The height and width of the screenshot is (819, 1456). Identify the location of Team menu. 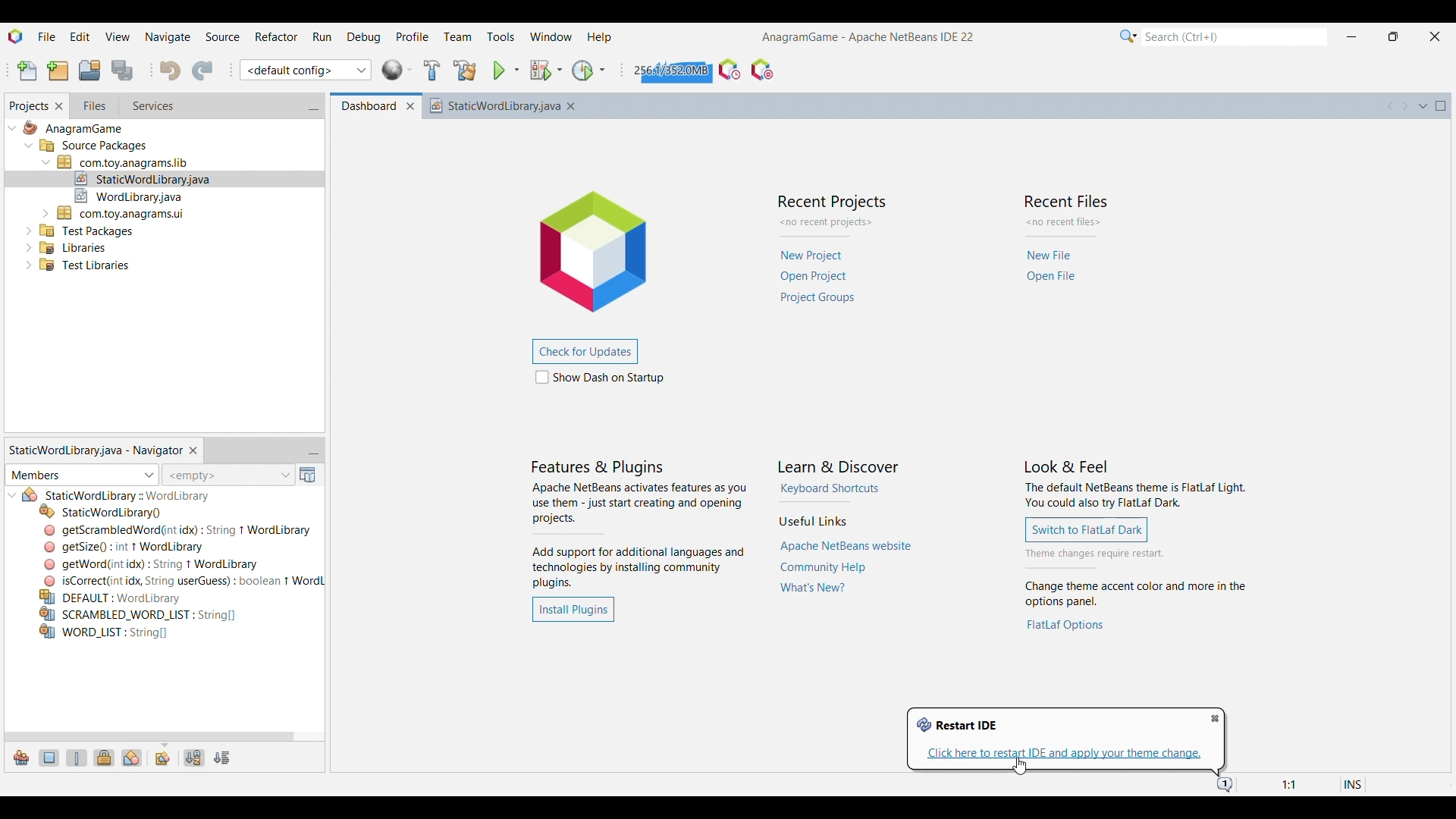
(457, 37).